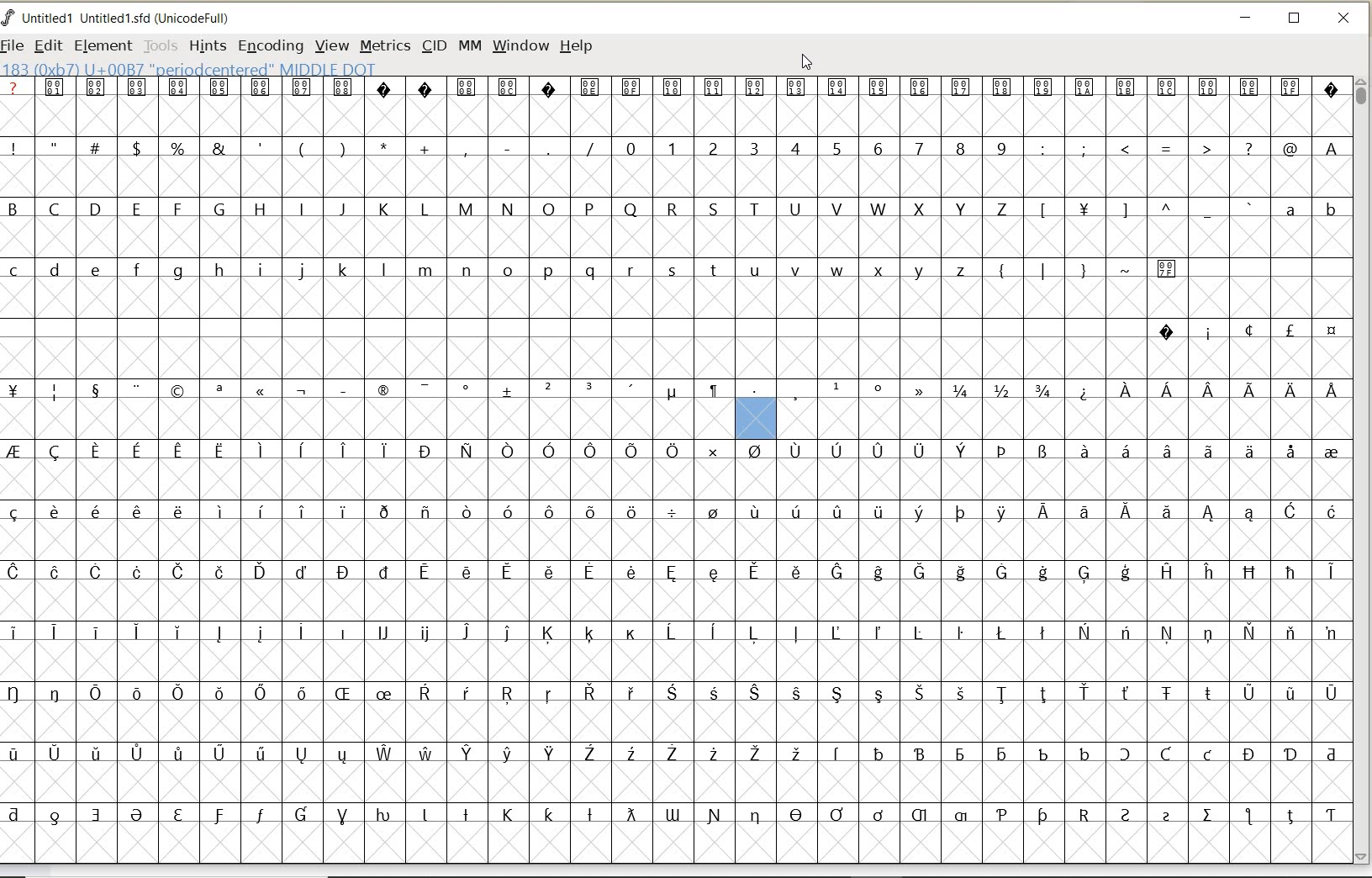 Image resolution: width=1372 pixels, height=878 pixels. I want to click on special characters, so click(1193, 149).